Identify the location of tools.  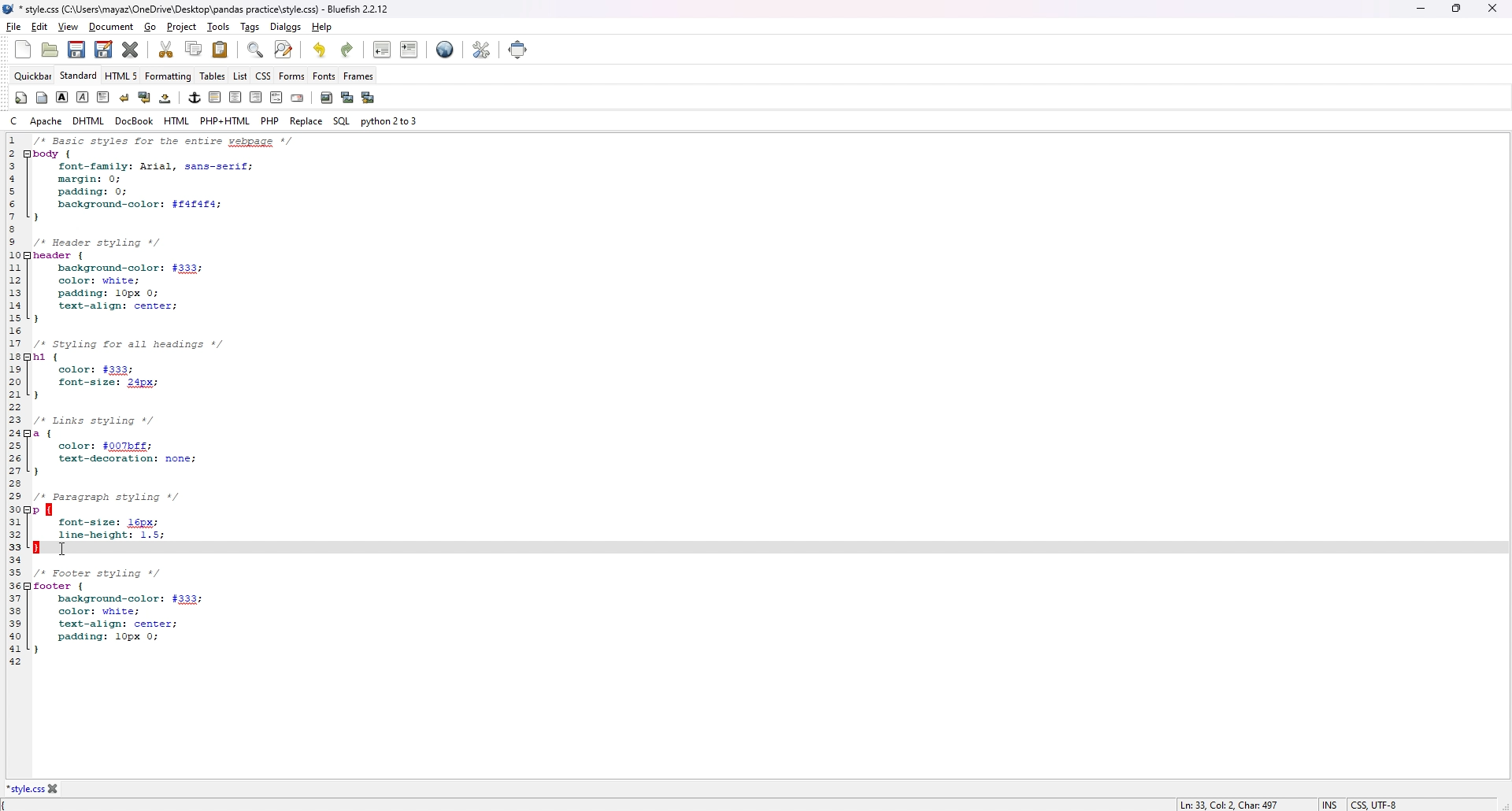
(218, 27).